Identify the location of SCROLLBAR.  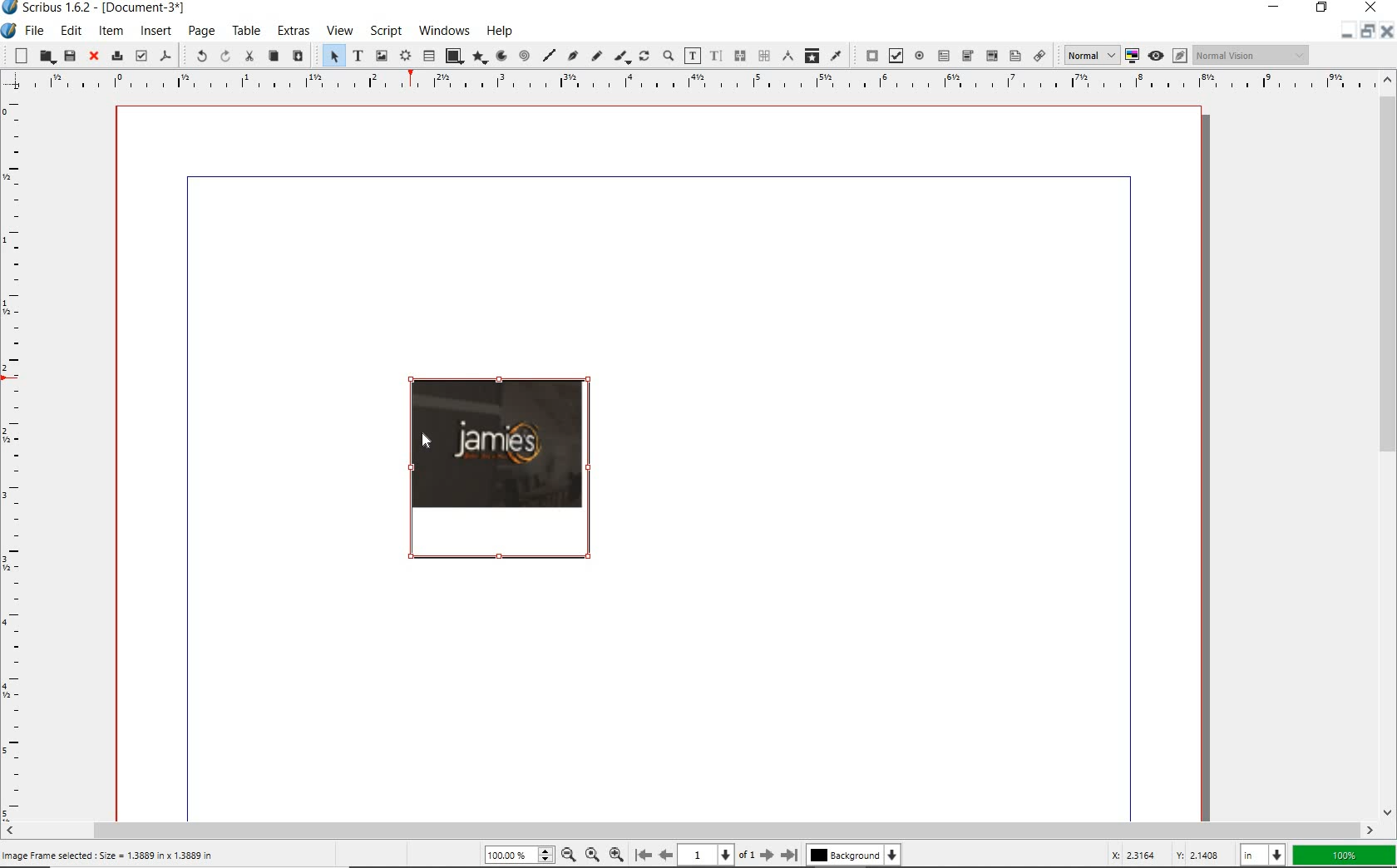
(689, 830).